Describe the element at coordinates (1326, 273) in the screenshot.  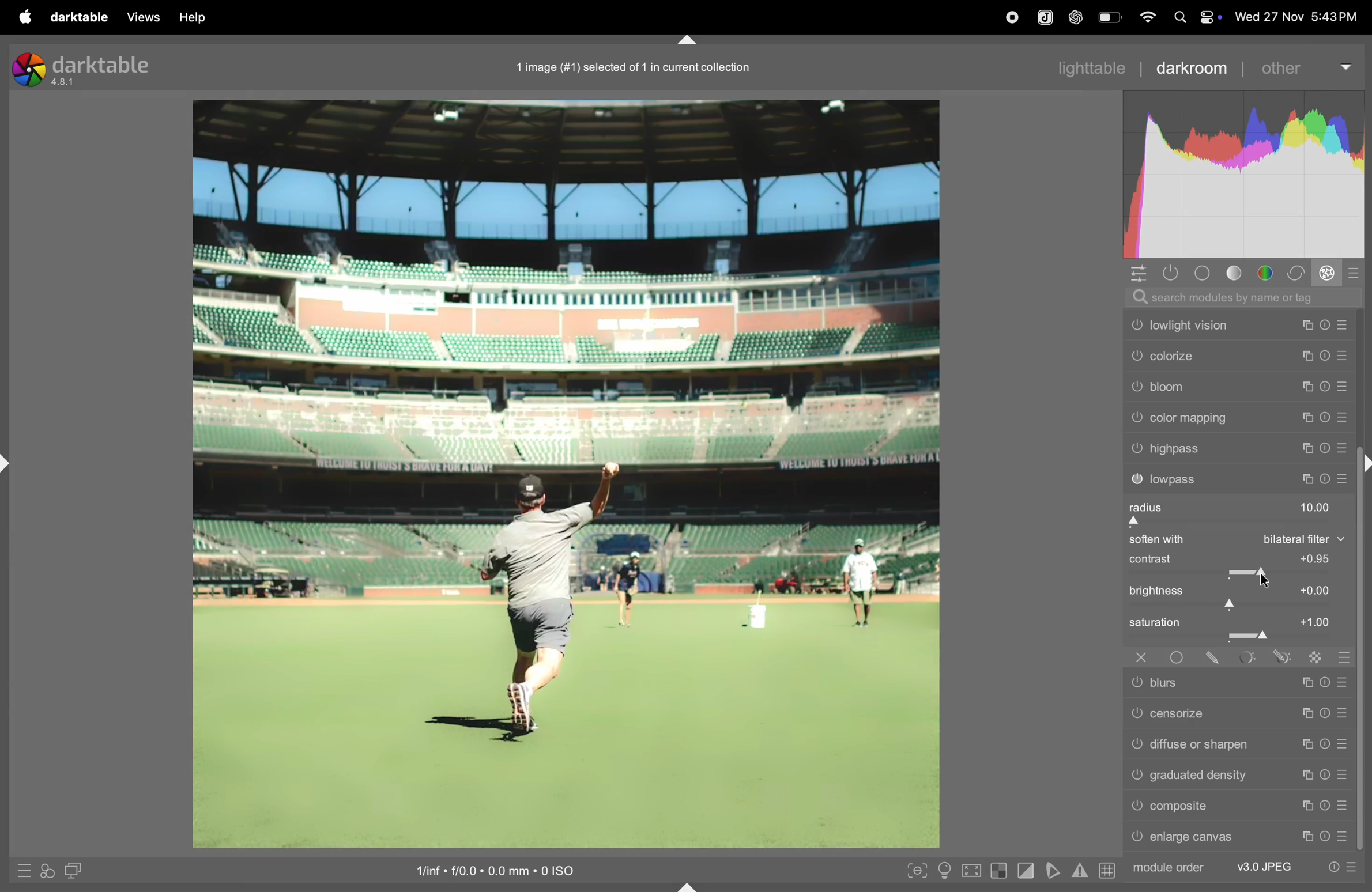
I see `effect` at that location.